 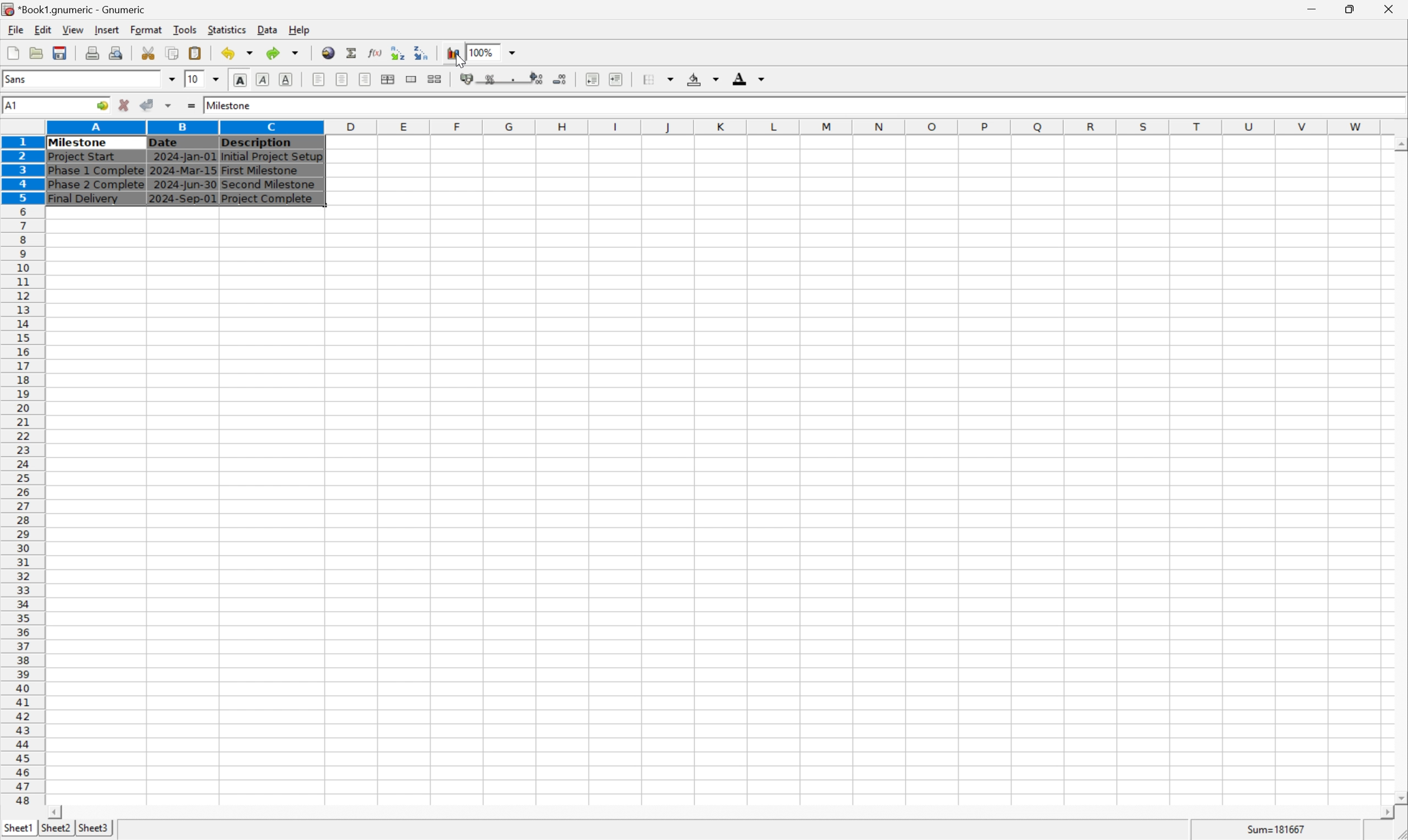 I want to click on go to, so click(x=100, y=106).